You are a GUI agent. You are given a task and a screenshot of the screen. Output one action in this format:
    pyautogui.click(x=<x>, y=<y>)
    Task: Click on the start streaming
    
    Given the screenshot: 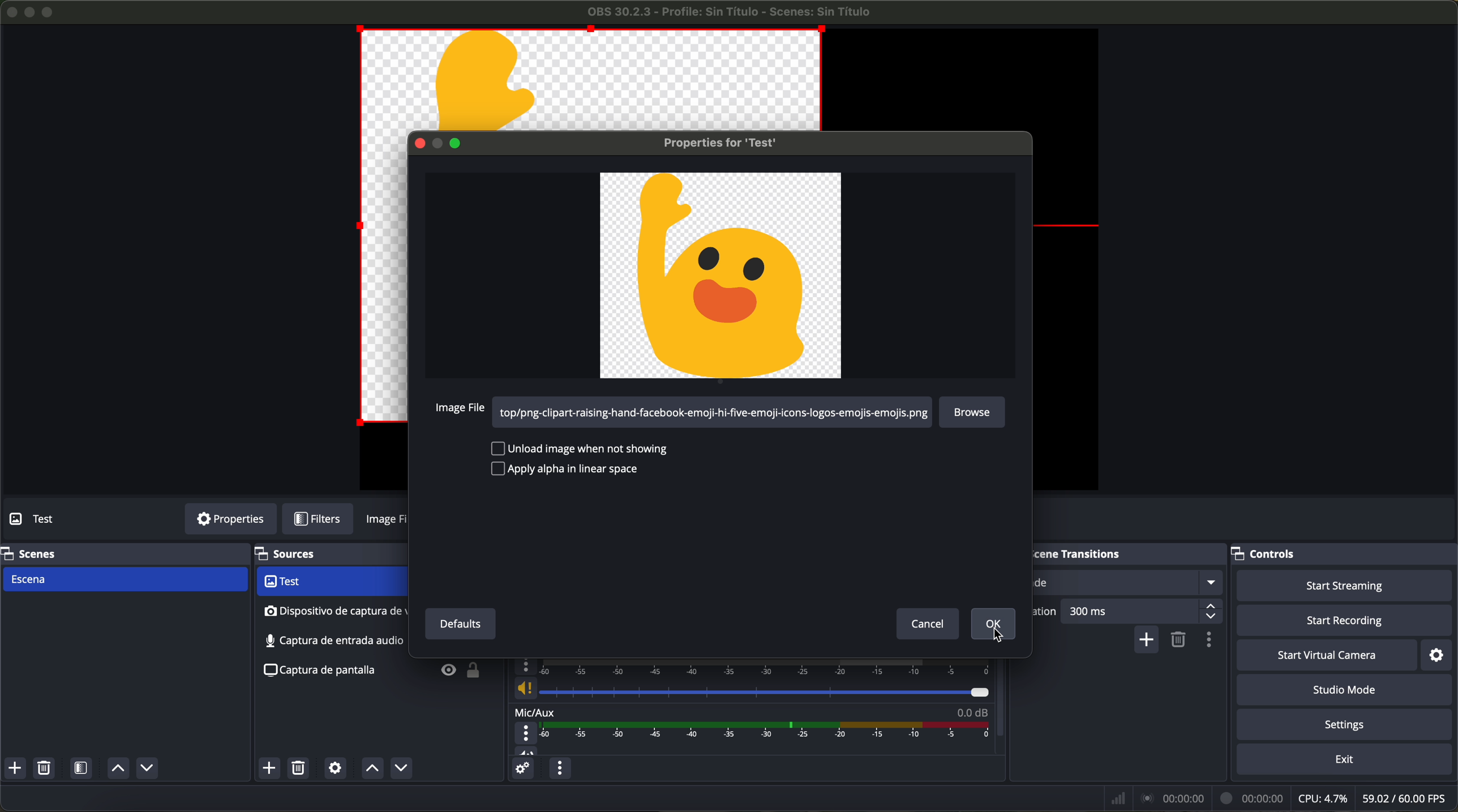 What is the action you would take?
    pyautogui.click(x=1340, y=585)
    